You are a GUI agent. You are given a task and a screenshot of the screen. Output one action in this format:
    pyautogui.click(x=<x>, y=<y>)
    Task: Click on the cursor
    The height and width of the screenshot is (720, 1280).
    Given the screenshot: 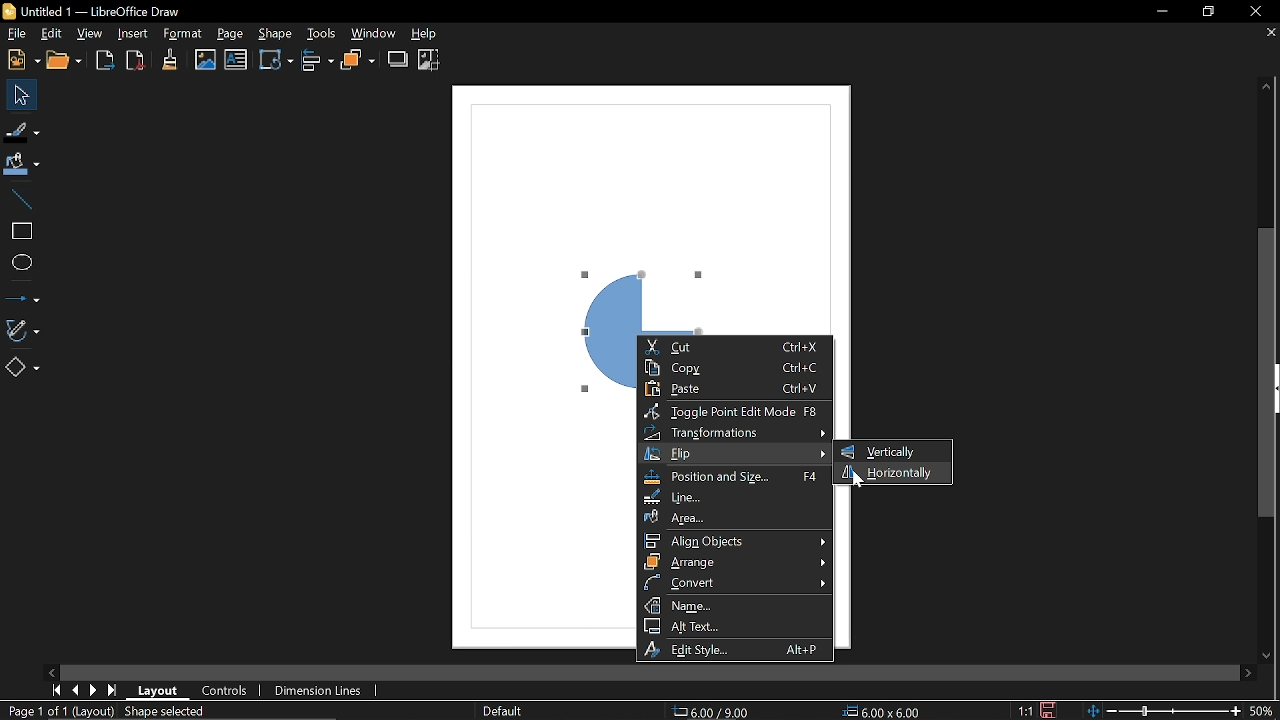 What is the action you would take?
    pyautogui.click(x=857, y=484)
    